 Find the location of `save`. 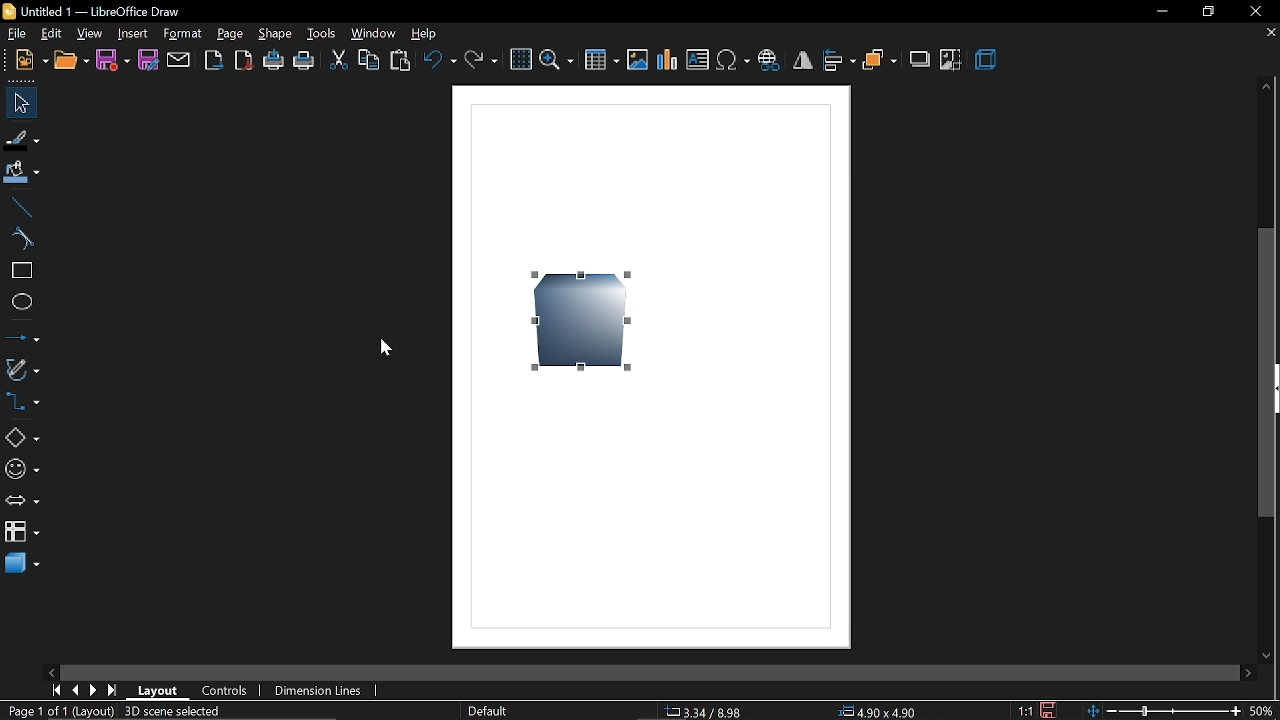

save is located at coordinates (1050, 710).